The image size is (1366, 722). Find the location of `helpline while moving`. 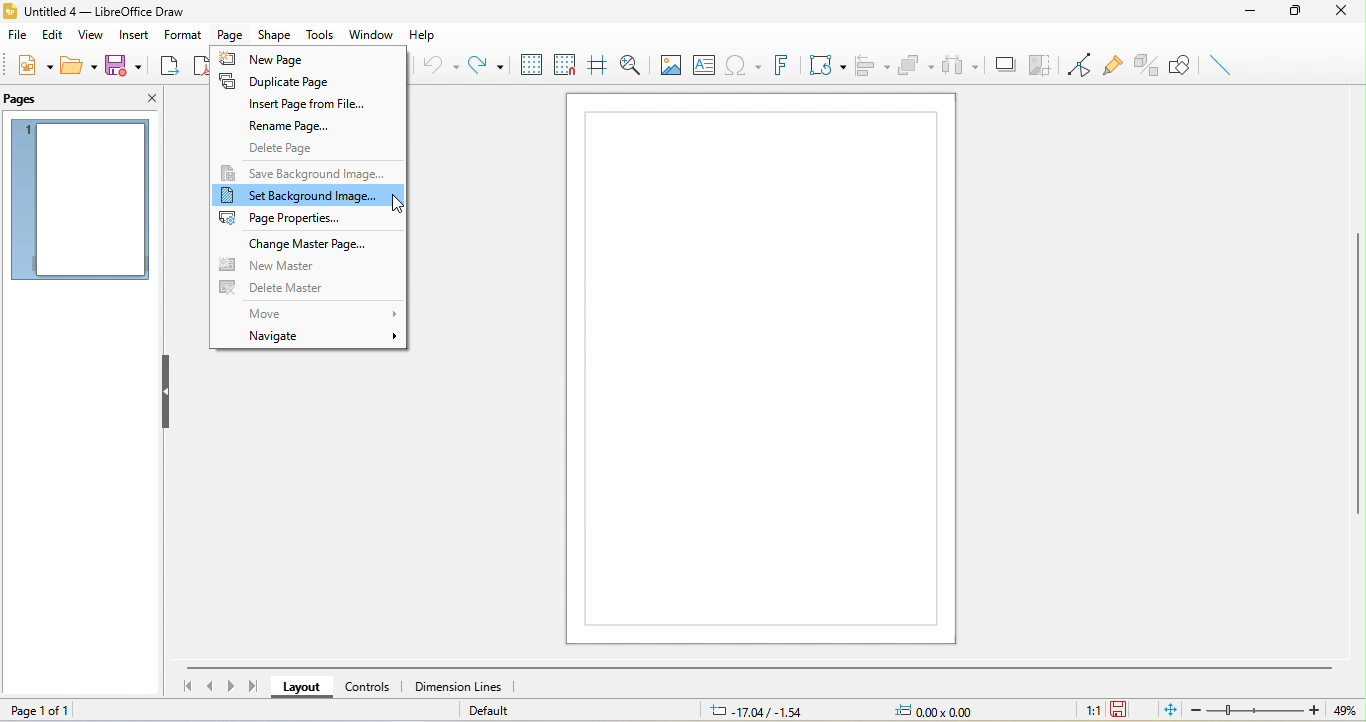

helpline while moving is located at coordinates (599, 64).